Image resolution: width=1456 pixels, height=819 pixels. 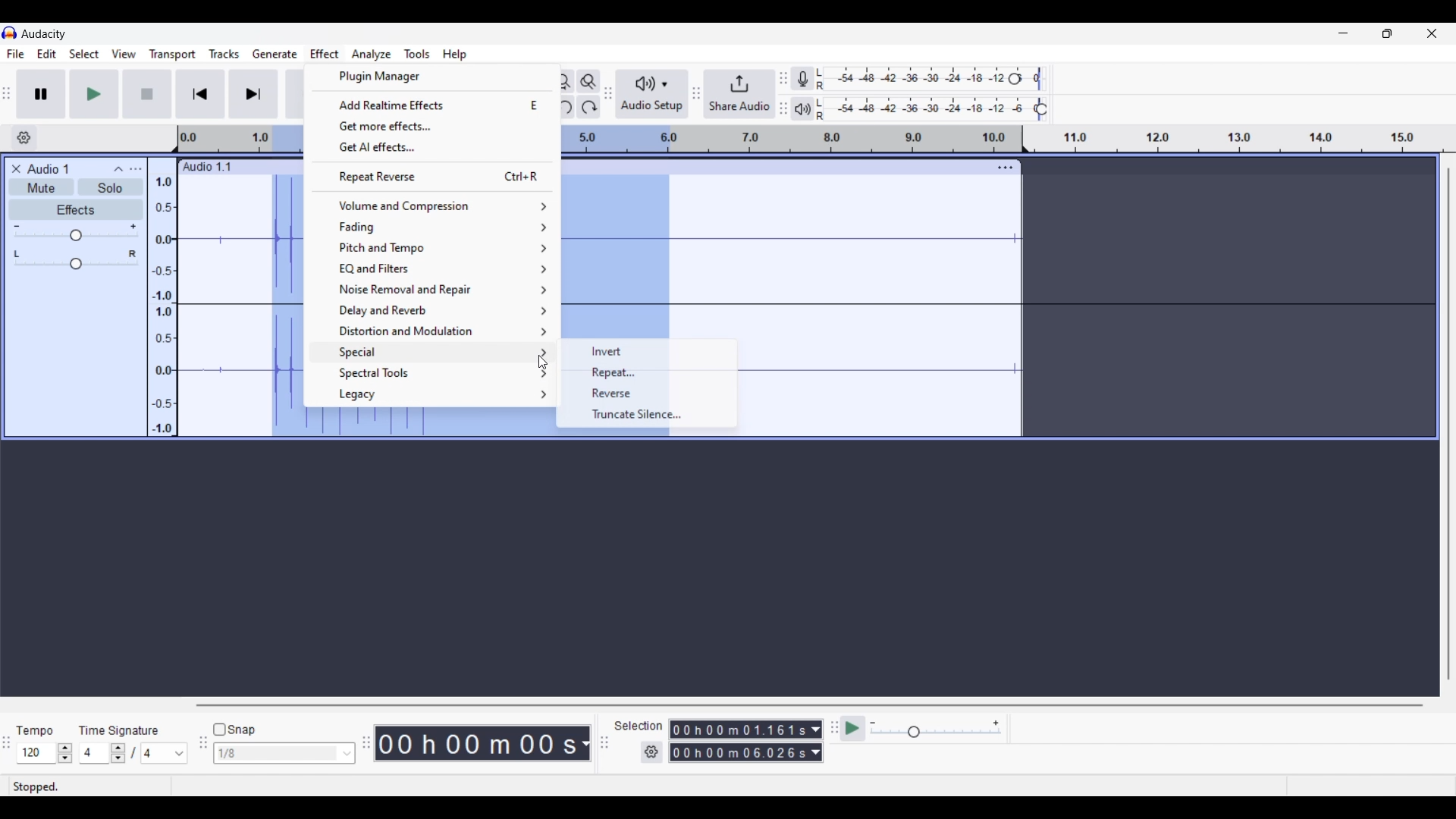 I want to click on Recorded duration, so click(x=476, y=743).